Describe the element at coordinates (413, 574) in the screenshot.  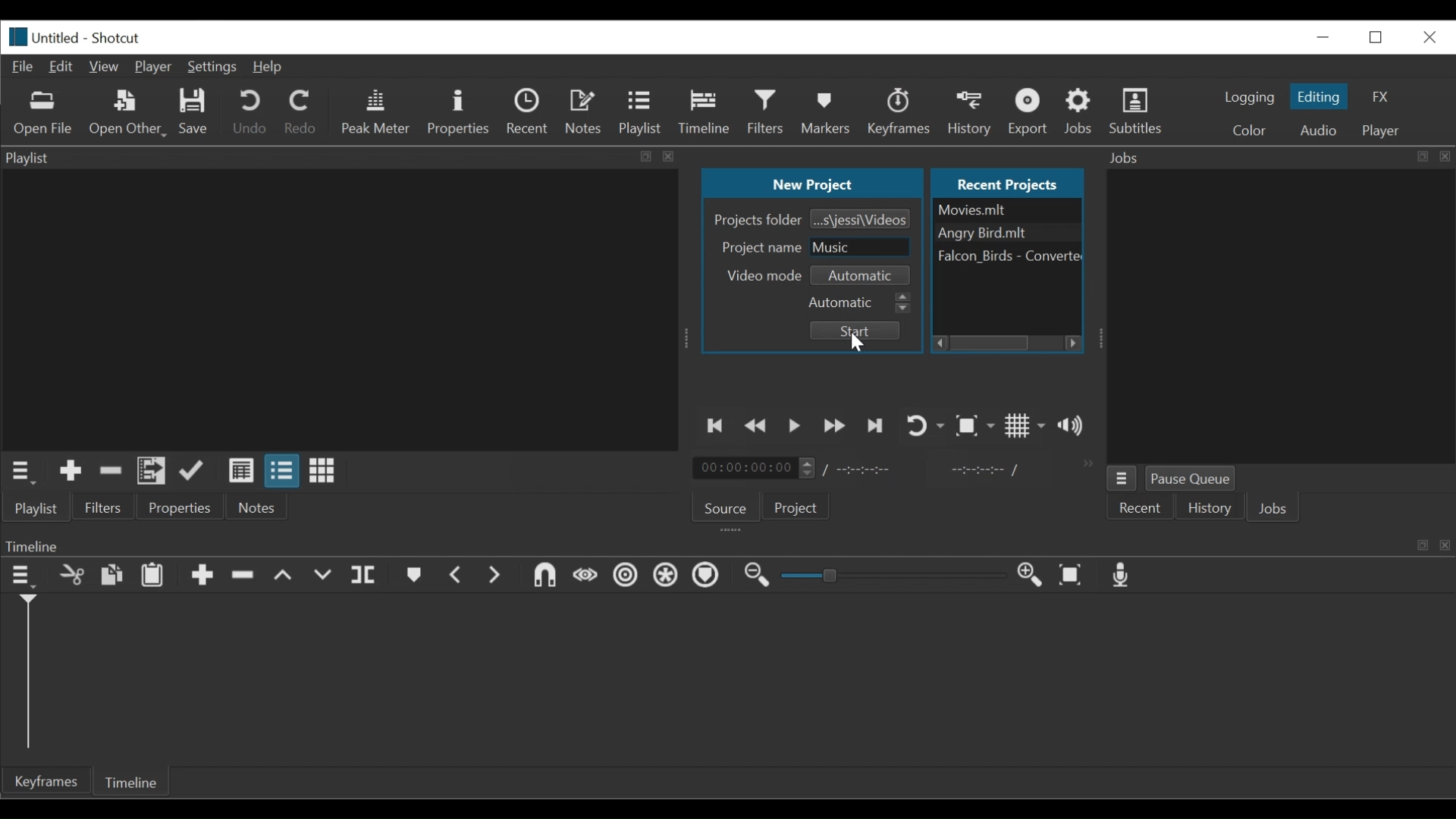
I see `Markers` at that location.